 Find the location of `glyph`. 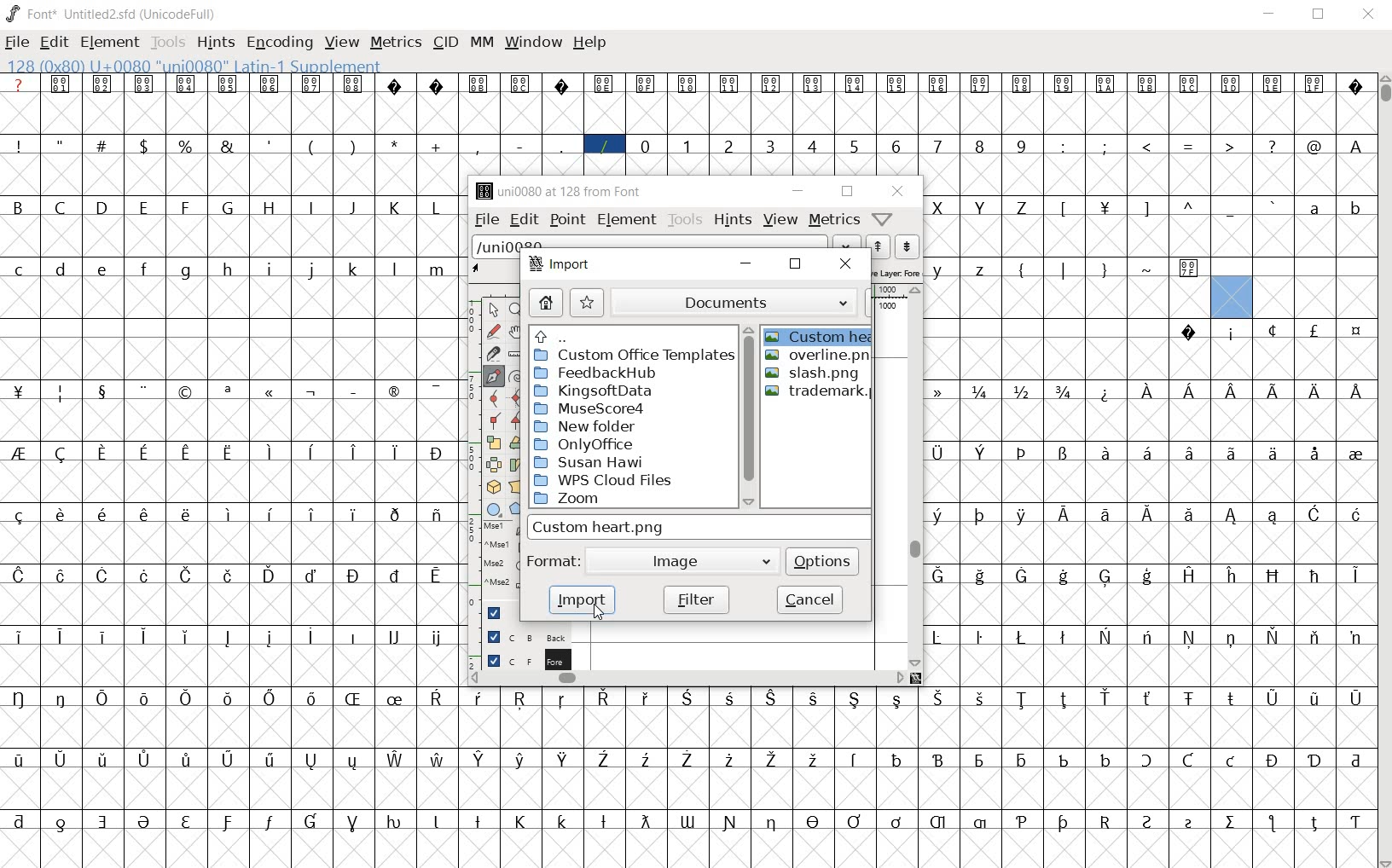

glyph is located at coordinates (1148, 515).